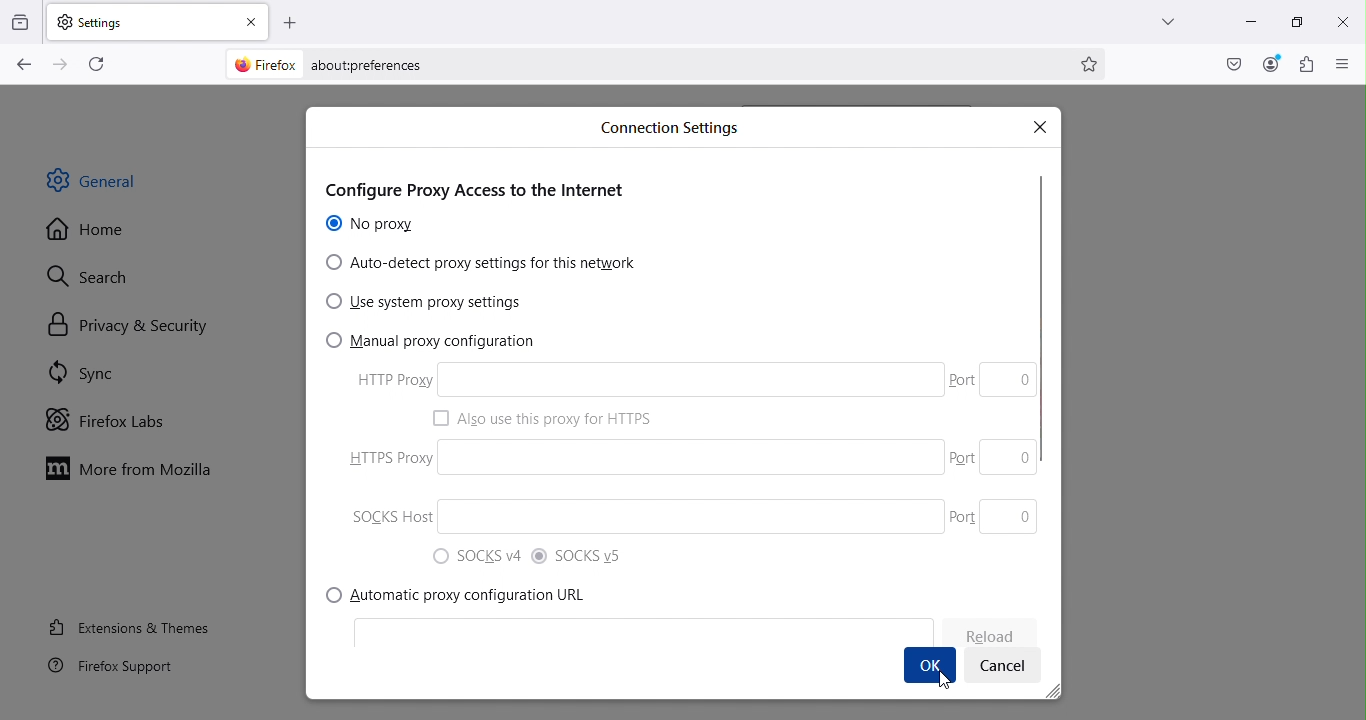 The height and width of the screenshot is (720, 1366). What do you see at coordinates (1345, 65) in the screenshot?
I see `Open application menu` at bounding box center [1345, 65].